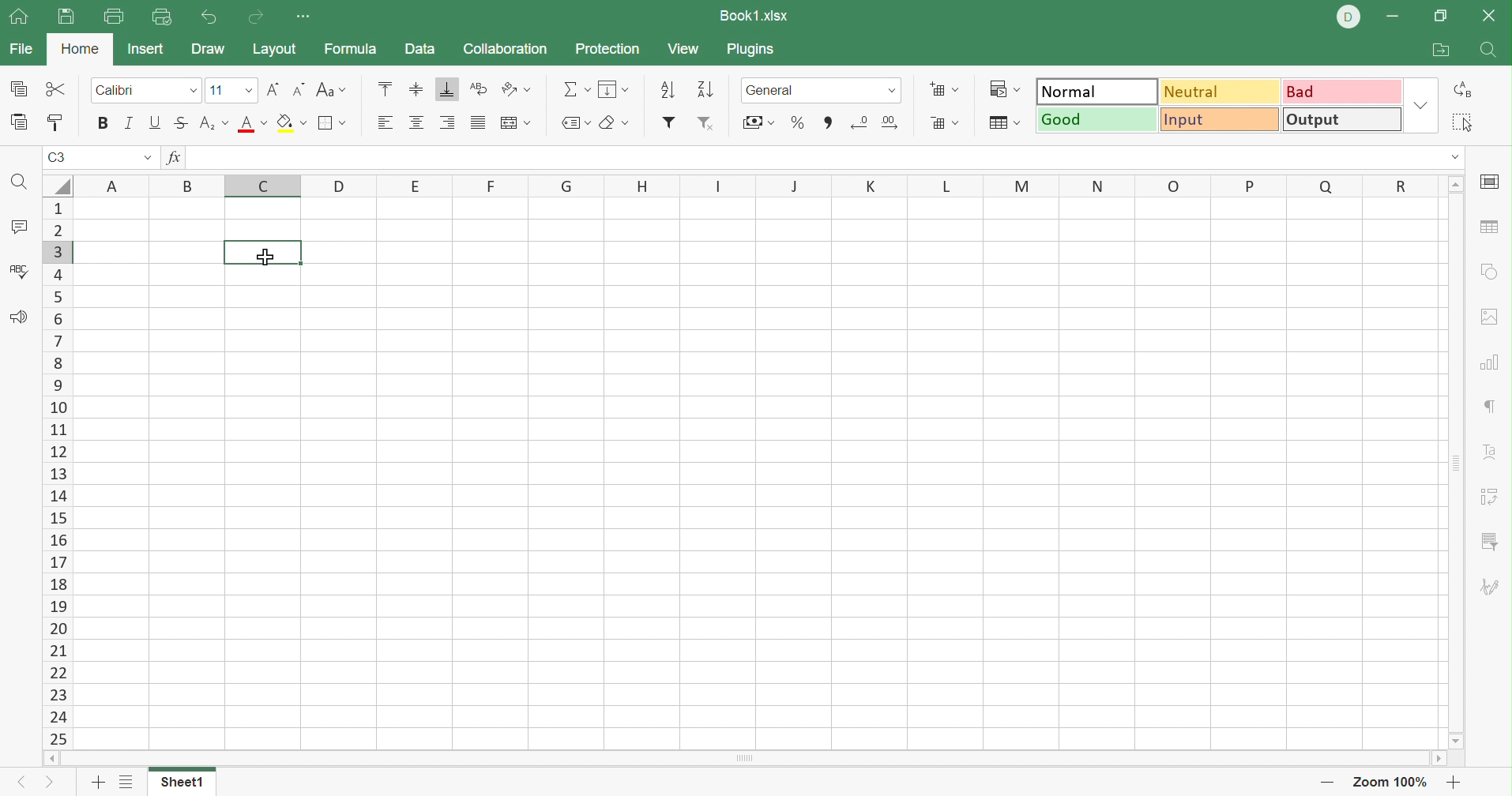 Image resolution: width=1512 pixels, height=796 pixels. What do you see at coordinates (942, 88) in the screenshot?
I see `Add cell` at bounding box center [942, 88].